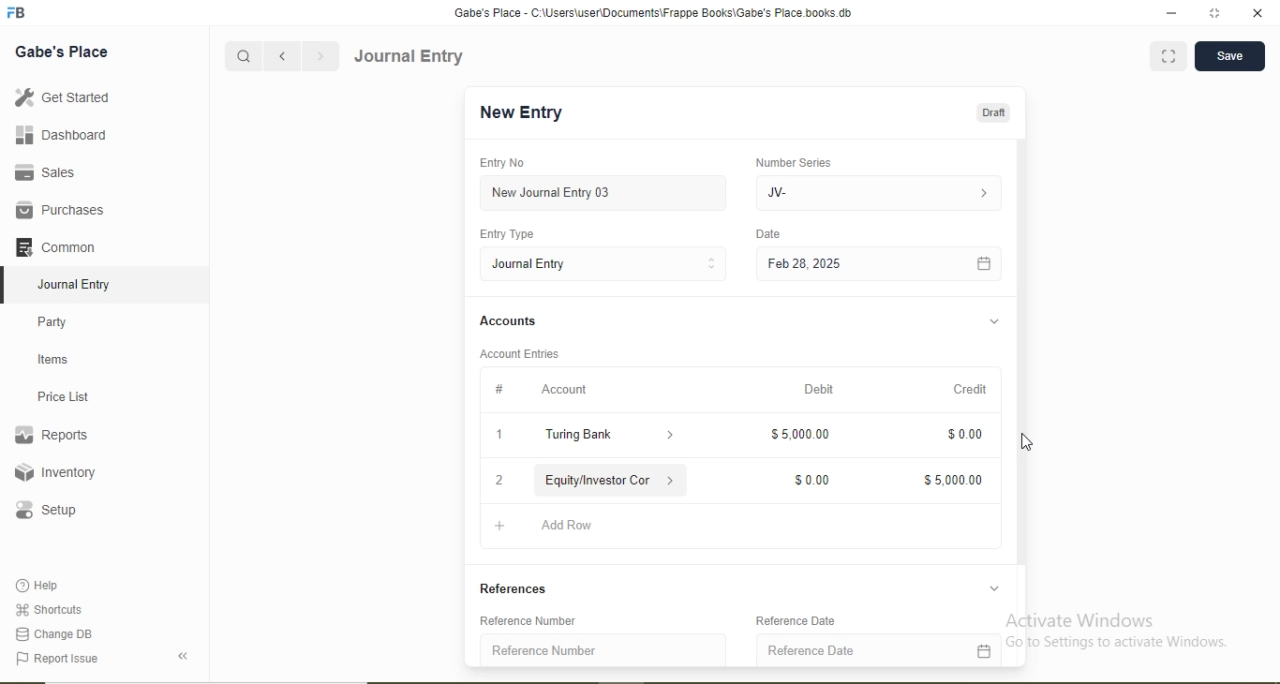  Describe the element at coordinates (518, 354) in the screenshot. I see `Account Entries` at that location.